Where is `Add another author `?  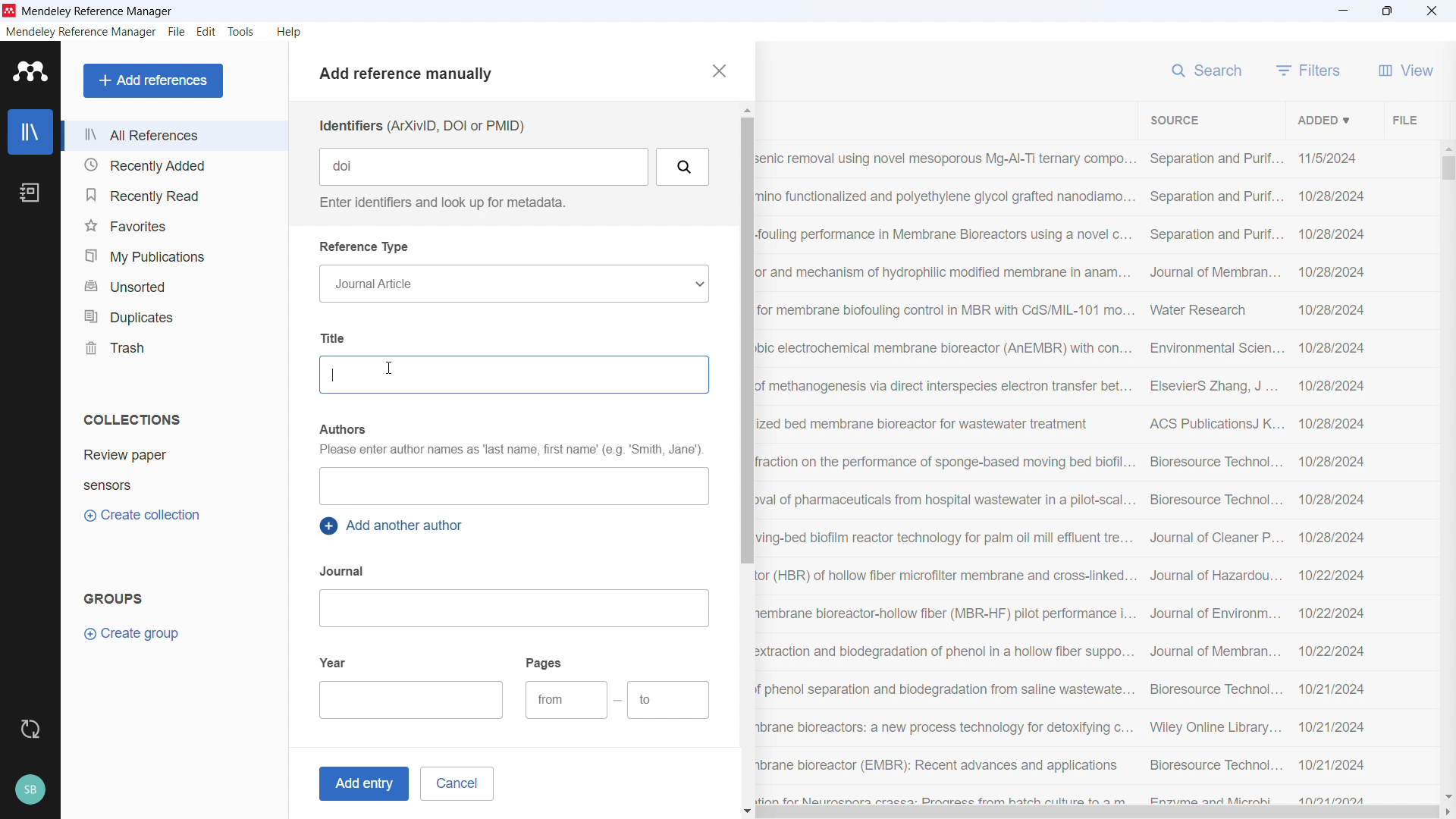 Add another author  is located at coordinates (394, 526).